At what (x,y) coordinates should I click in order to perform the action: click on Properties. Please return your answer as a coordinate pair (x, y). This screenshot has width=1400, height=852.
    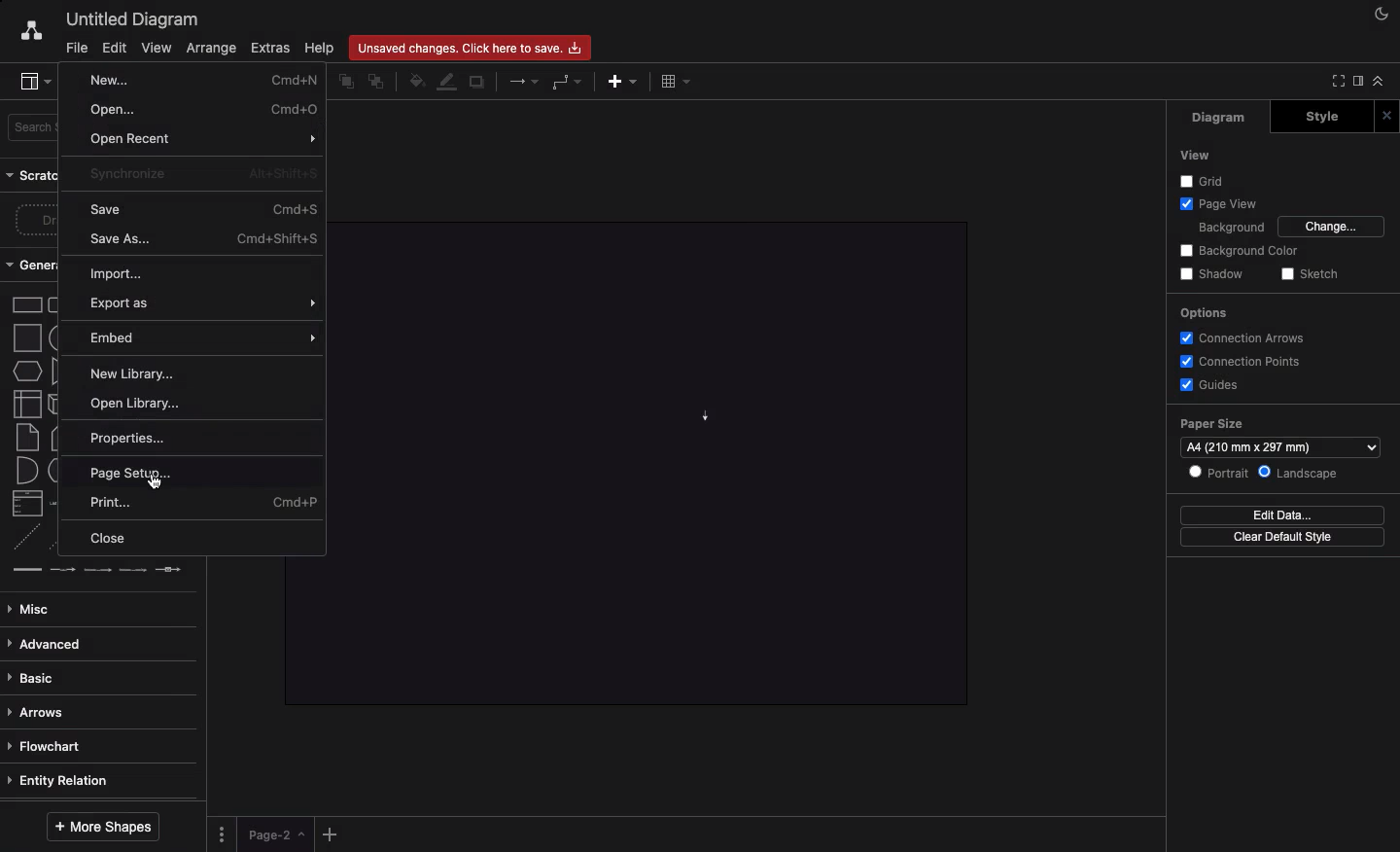
    Looking at the image, I should click on (204, 436).